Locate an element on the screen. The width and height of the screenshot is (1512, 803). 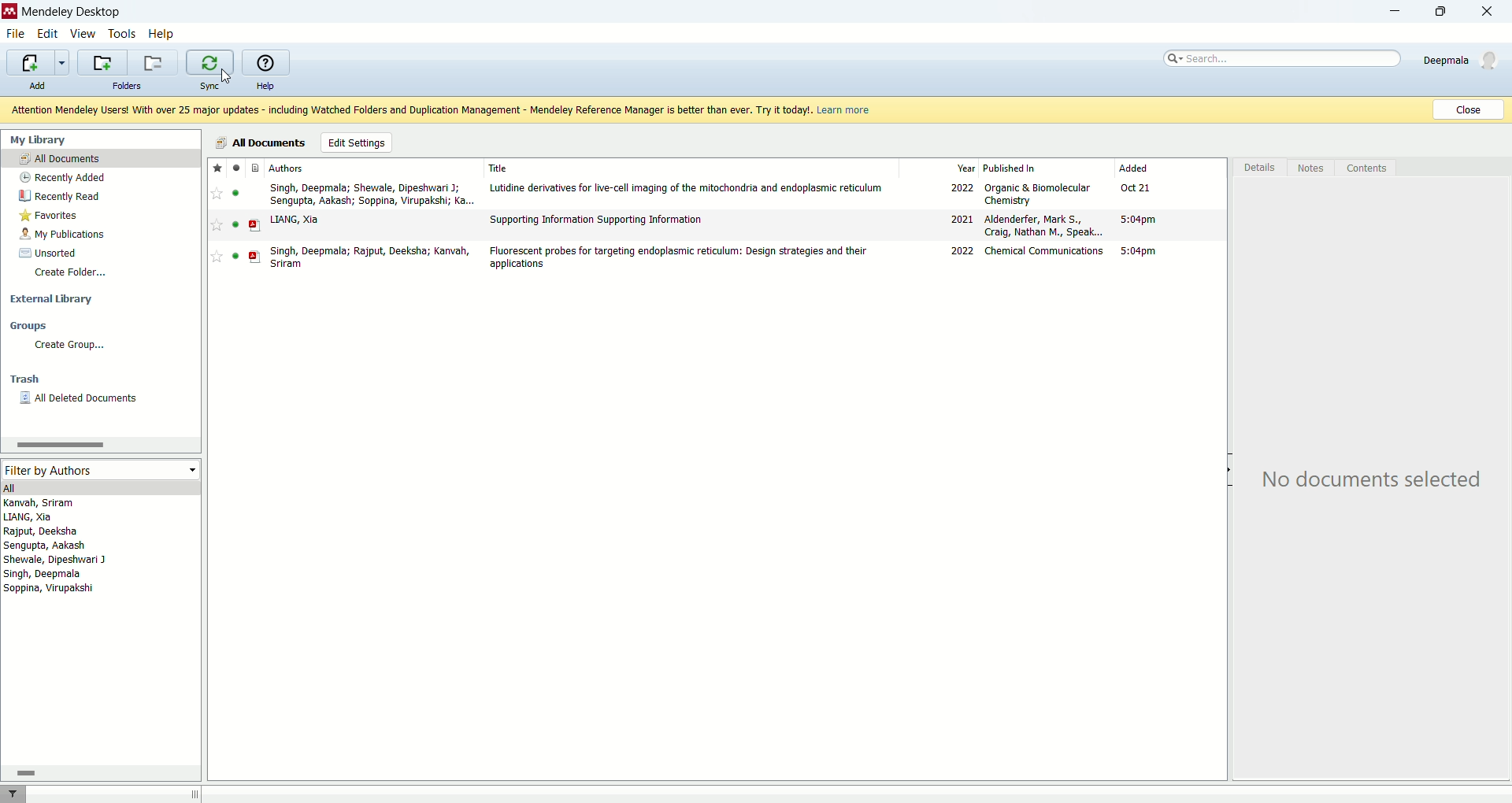
all documents is located at coordinates (255, 143).